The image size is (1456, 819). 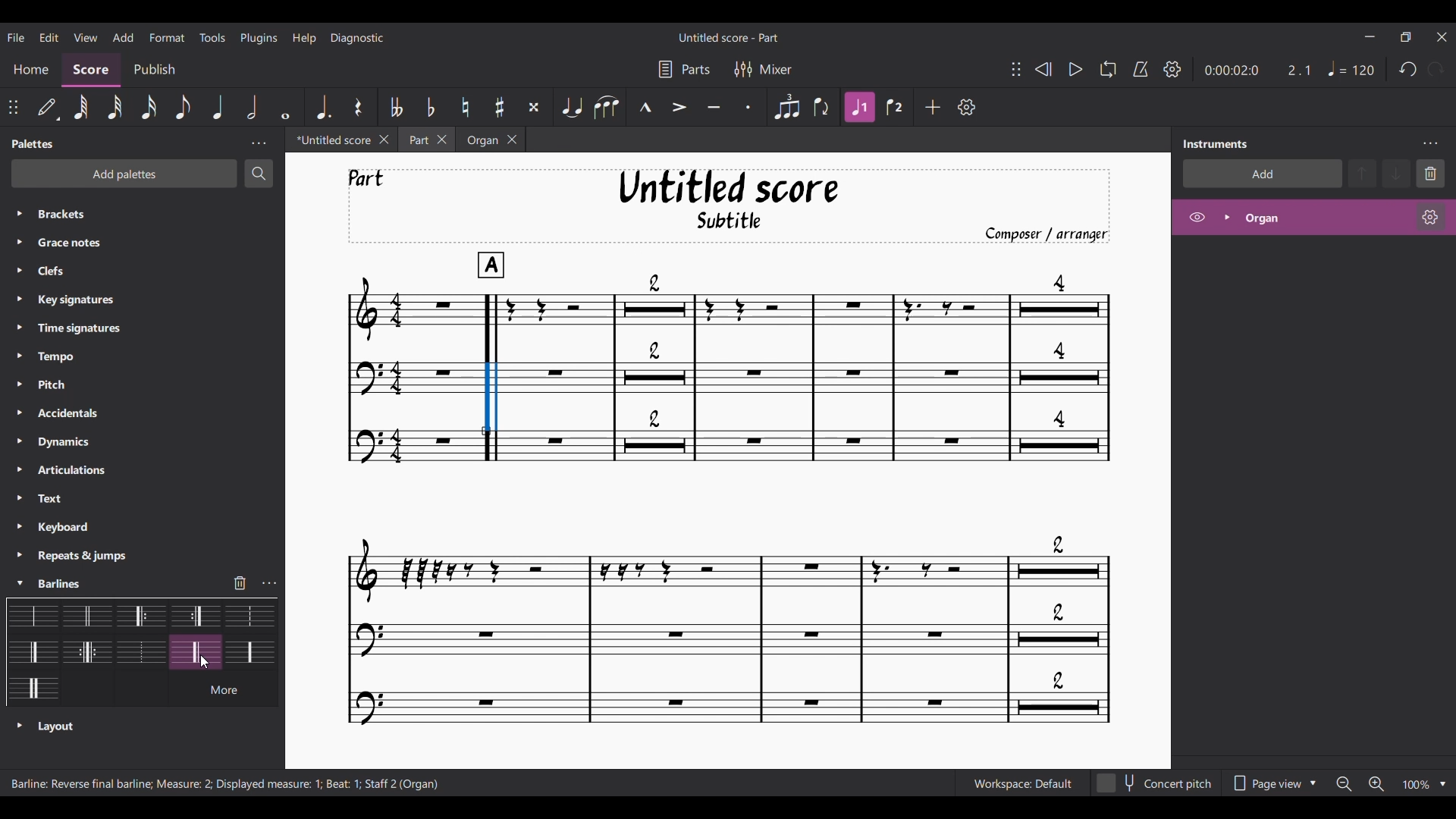 I want to click on Quarter note, so click(x=1352, y=68).